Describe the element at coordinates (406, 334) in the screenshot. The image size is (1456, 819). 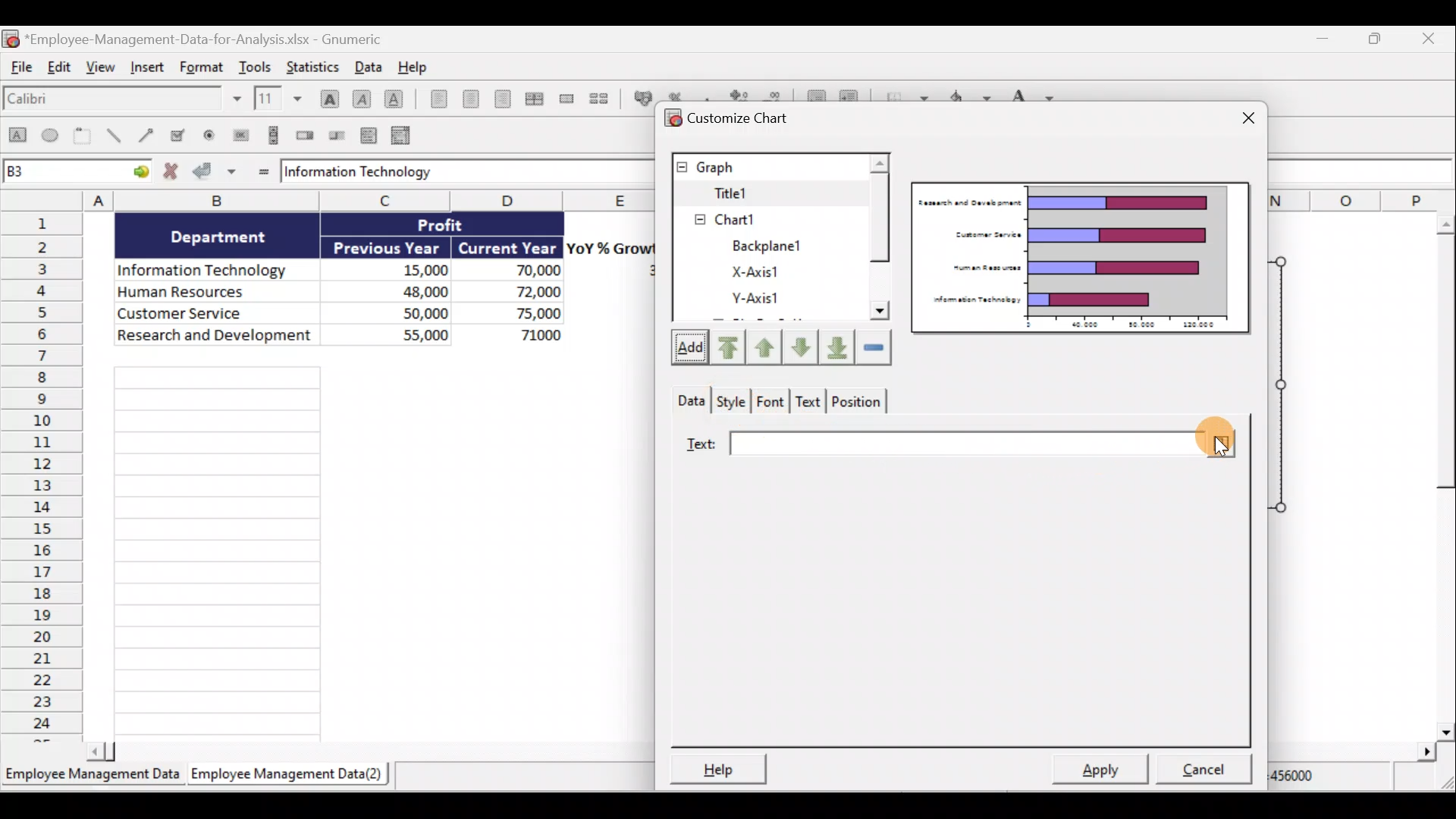
I see `55,000` at that location.